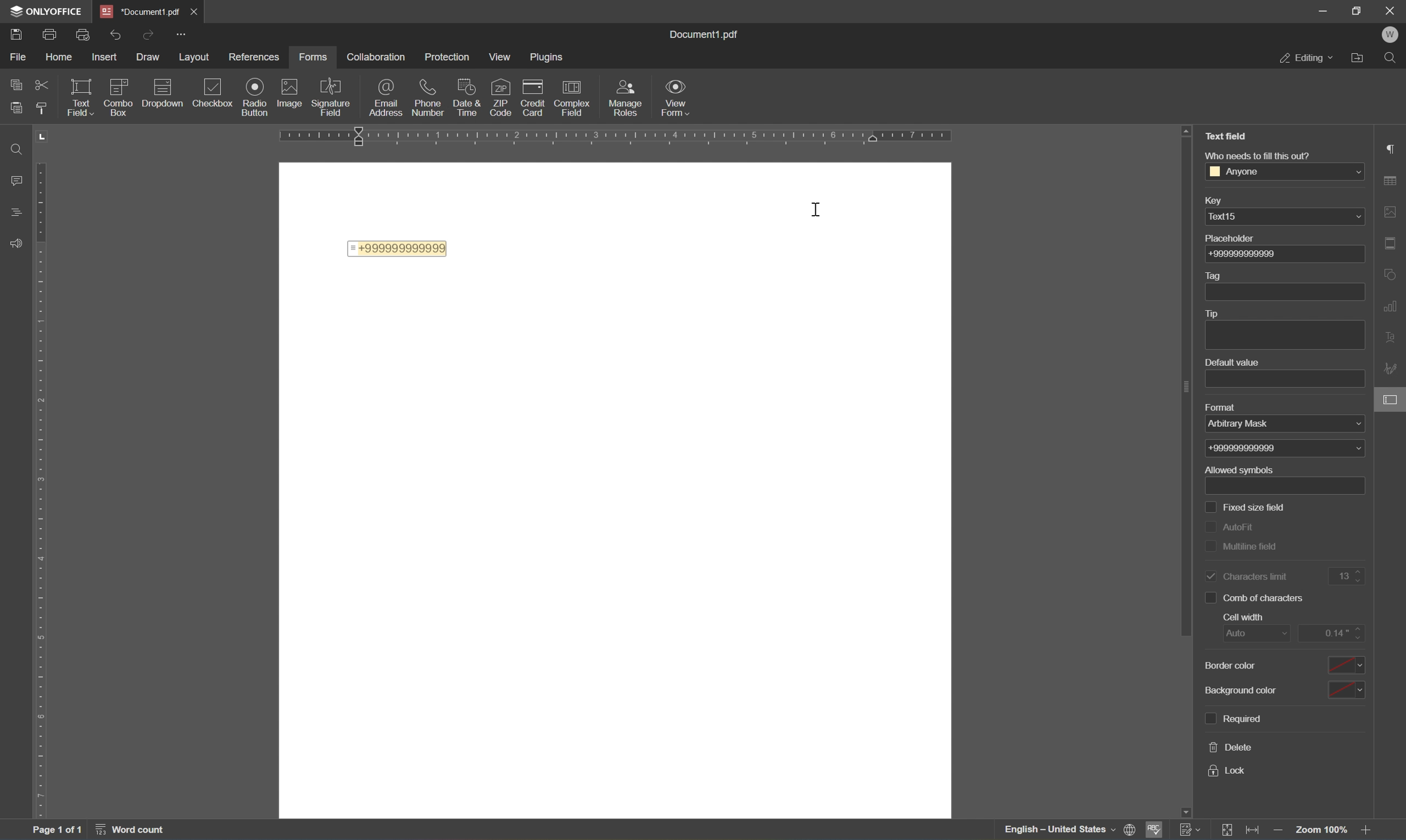  Describe the element at coordinates (1394, 179) in the screenshot. I see `table settings` at that location.